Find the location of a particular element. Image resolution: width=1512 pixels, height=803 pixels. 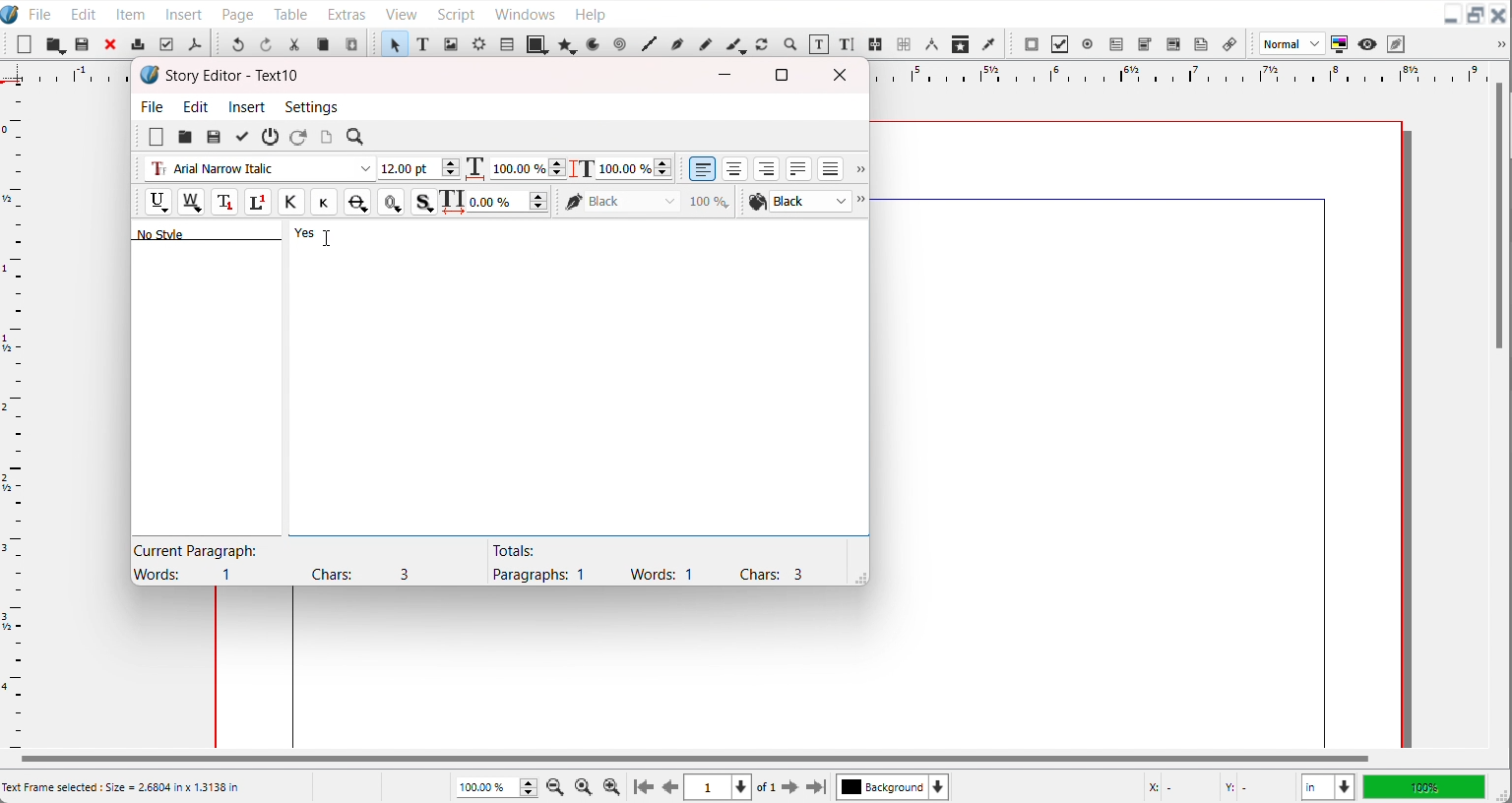

Go to next page is located at coordinates (779, 787).